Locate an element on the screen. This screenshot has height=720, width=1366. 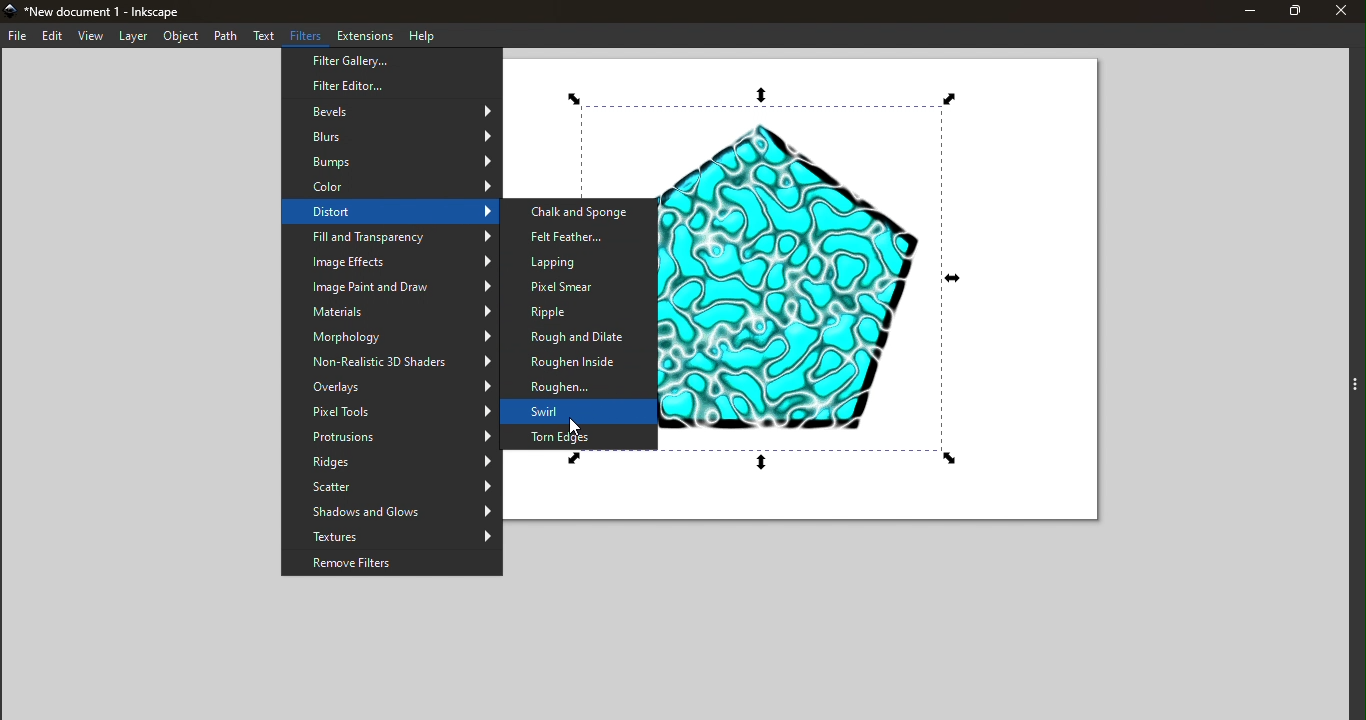
Chalk and Sponge is located at coordinates (577, 212).